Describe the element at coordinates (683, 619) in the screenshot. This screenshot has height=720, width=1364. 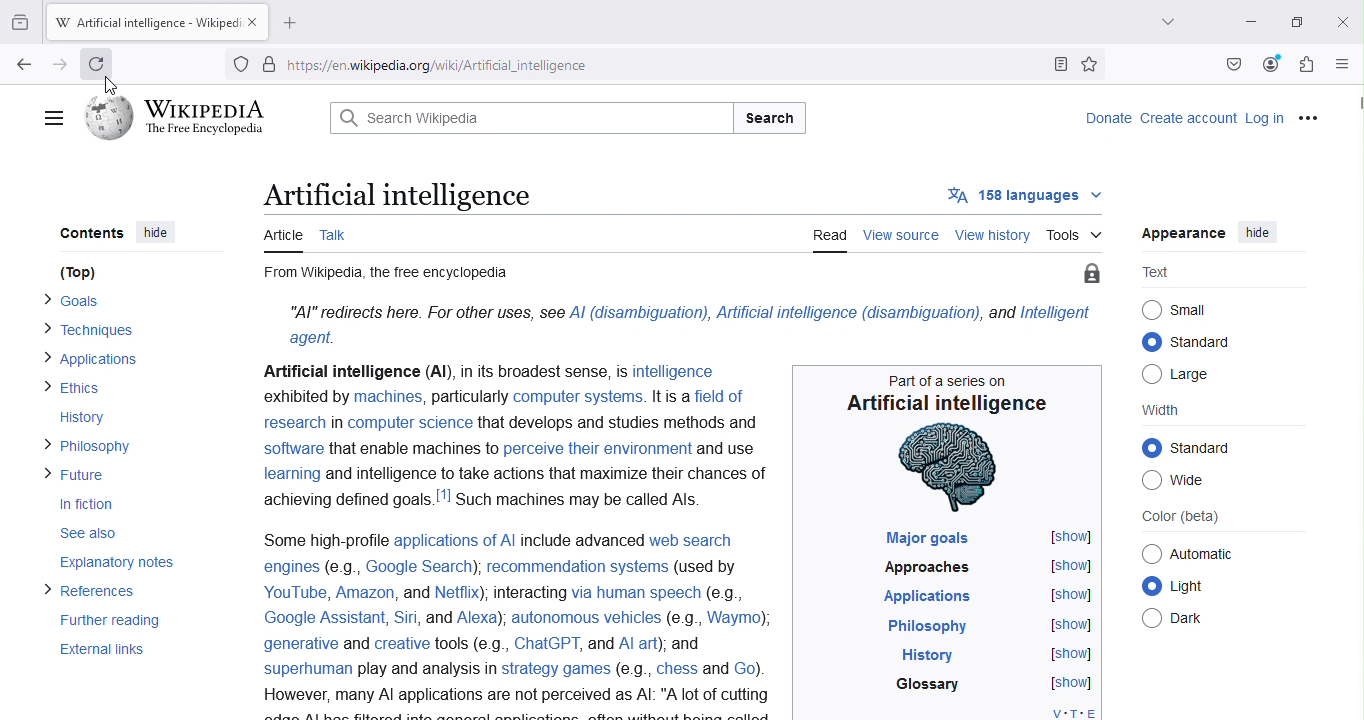
I see `e.g.,` at that location.